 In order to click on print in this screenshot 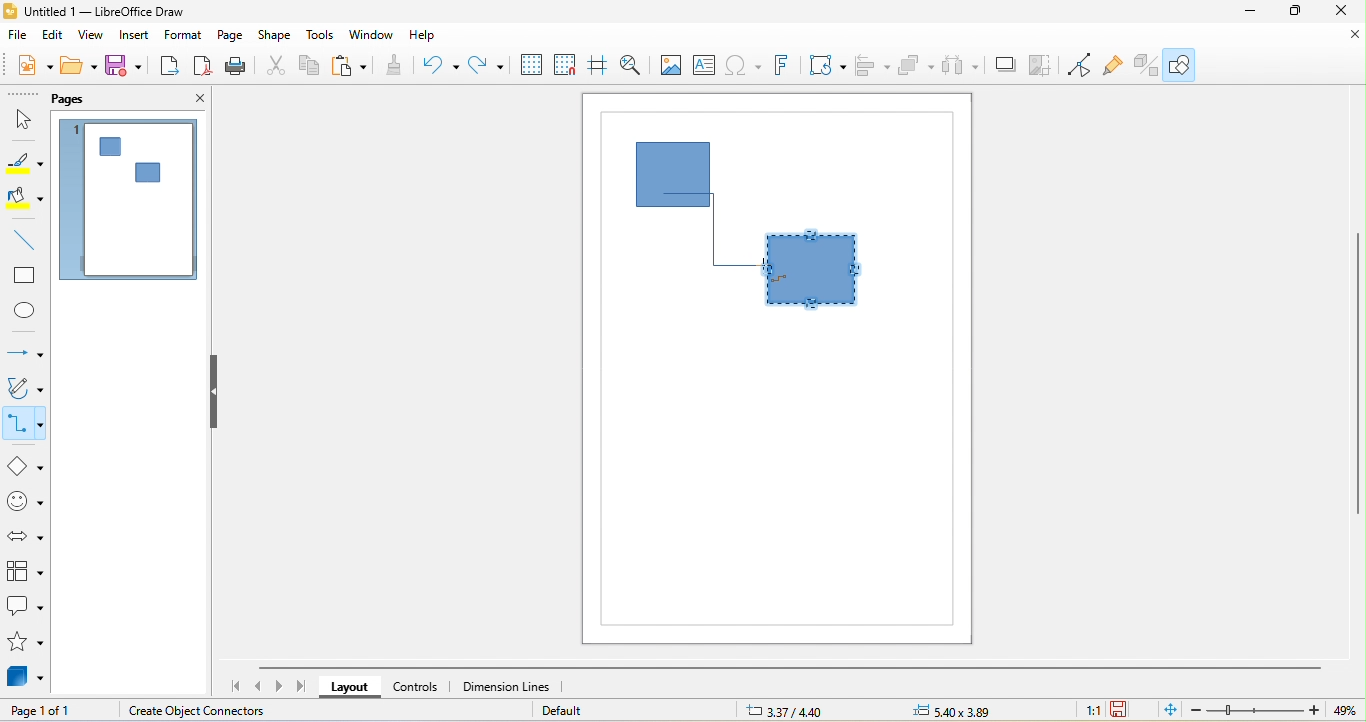, I will do `click(237, 68)`.